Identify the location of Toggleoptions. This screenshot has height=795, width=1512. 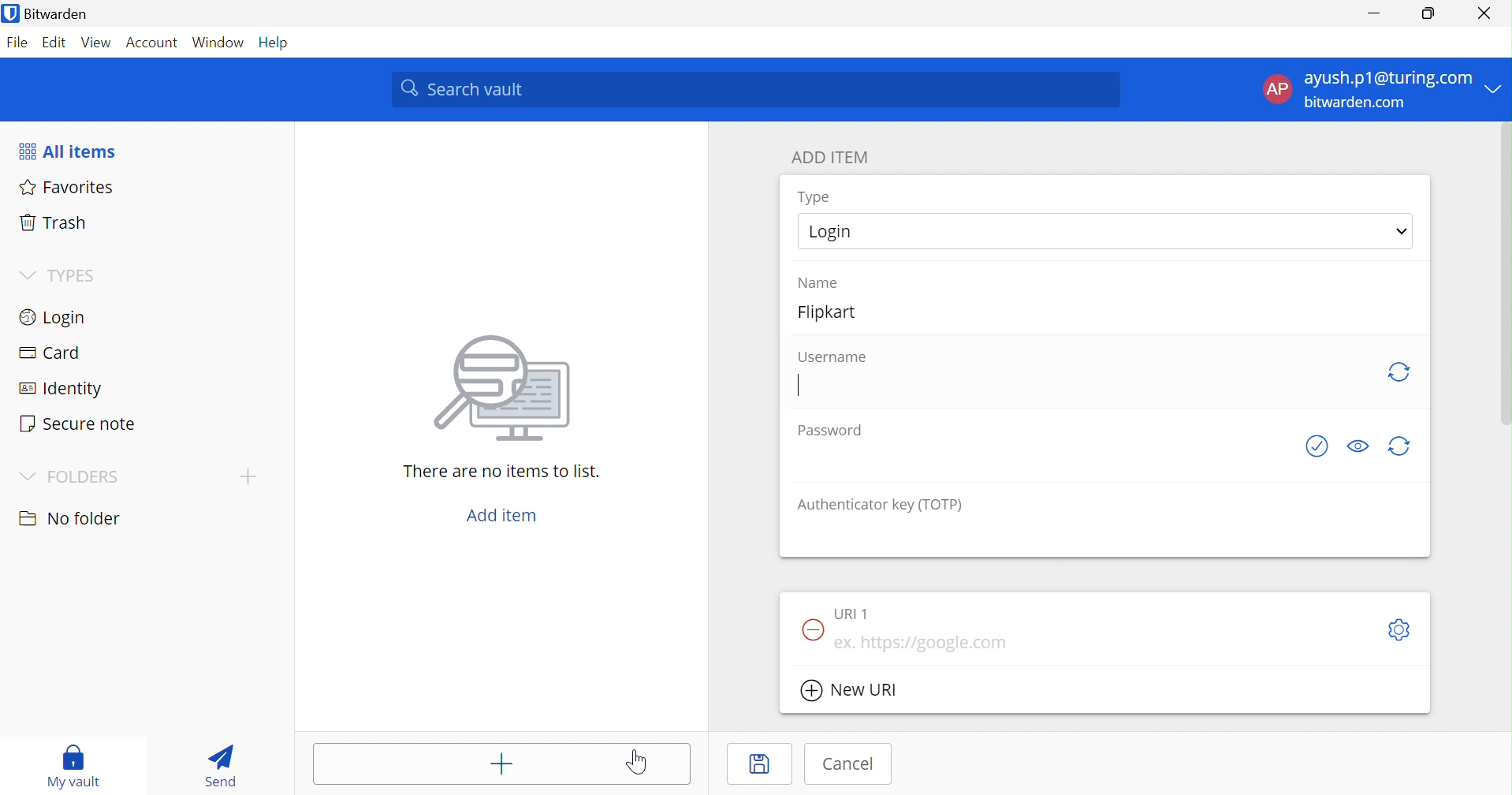
(1397, 629).